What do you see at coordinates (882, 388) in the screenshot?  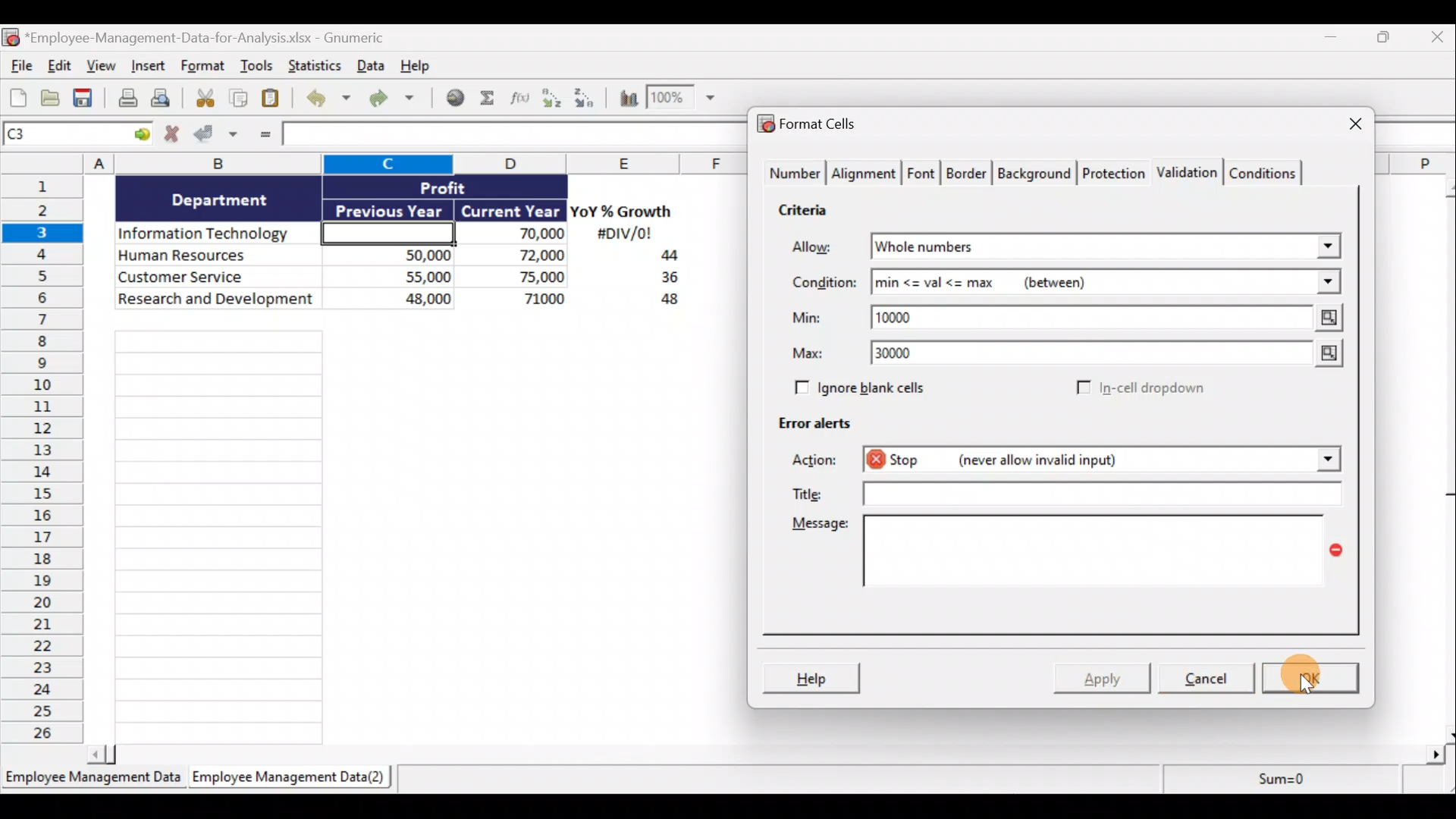 I see `Ignore blank cells` at bounding box center [882, 388].